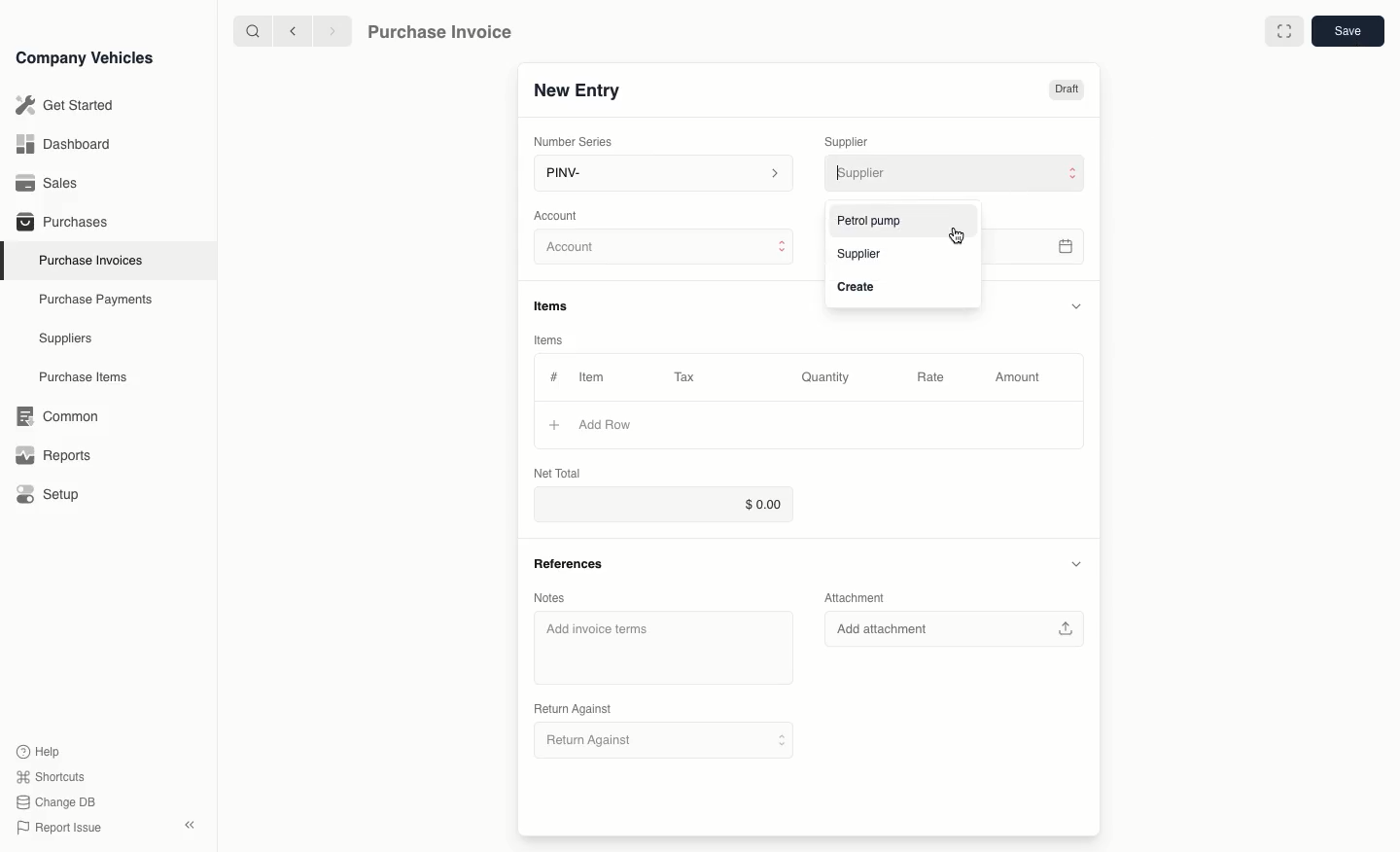  What do you see at coordinates (556, 214) in the screenshot?
I see `Account` at bounding box center [556, 214].